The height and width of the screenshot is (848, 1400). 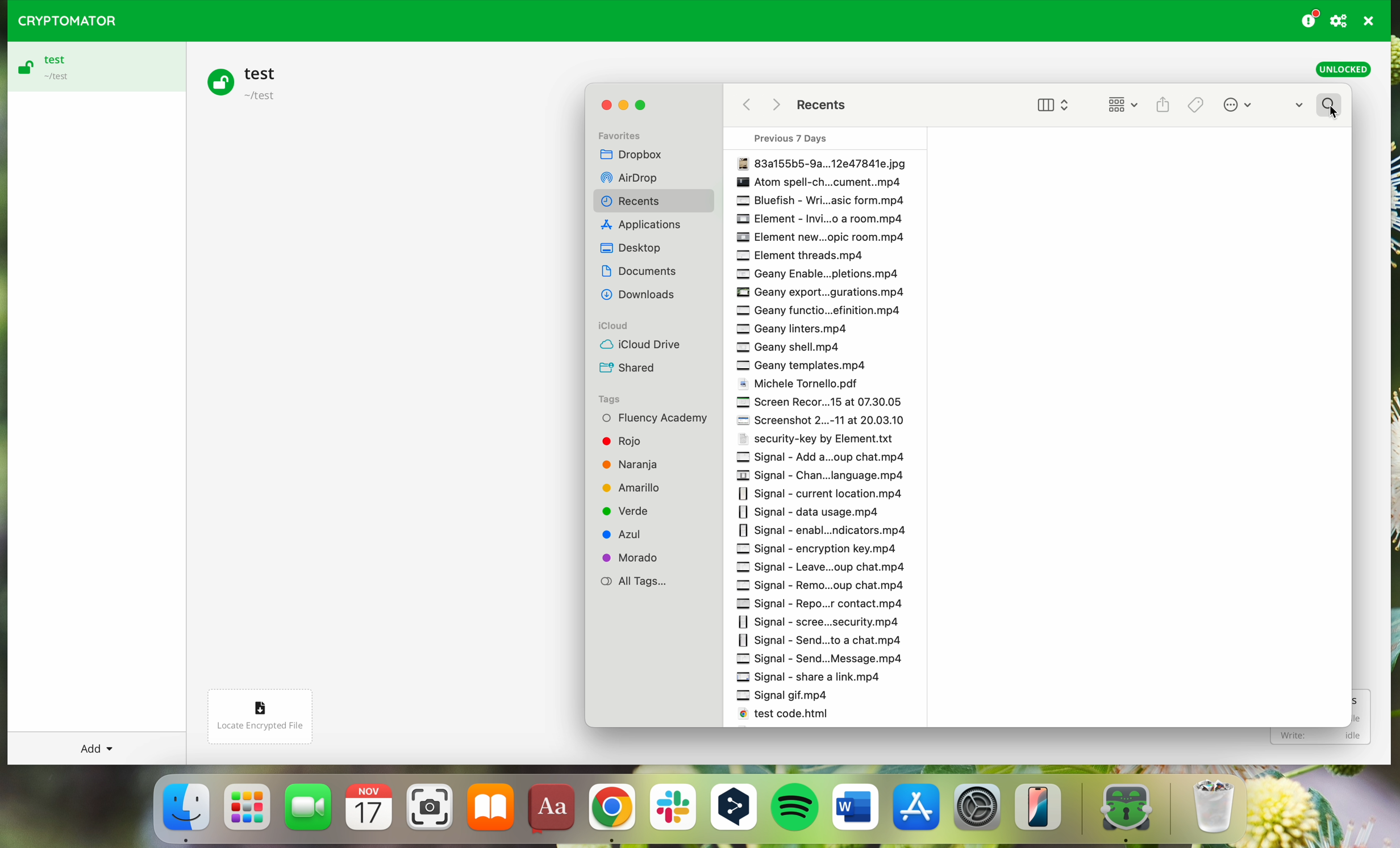 What do you see at coordinates (820, 405) in the screenshot?
I see `Screen Record` at bounding box center [820, 405].